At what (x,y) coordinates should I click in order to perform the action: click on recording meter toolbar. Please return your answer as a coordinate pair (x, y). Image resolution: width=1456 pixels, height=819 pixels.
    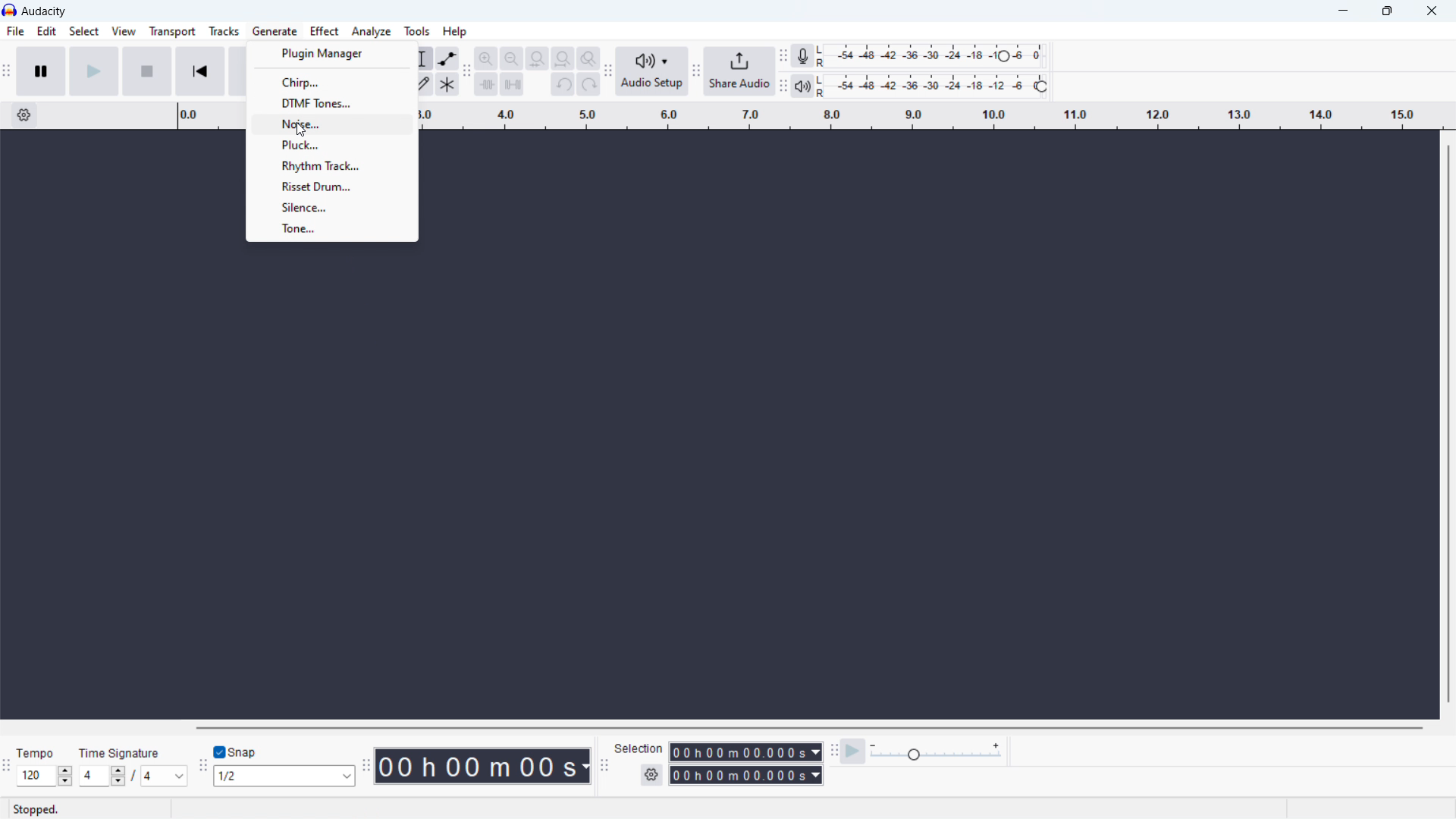
    Looking at the image, I should click on (785, 56).